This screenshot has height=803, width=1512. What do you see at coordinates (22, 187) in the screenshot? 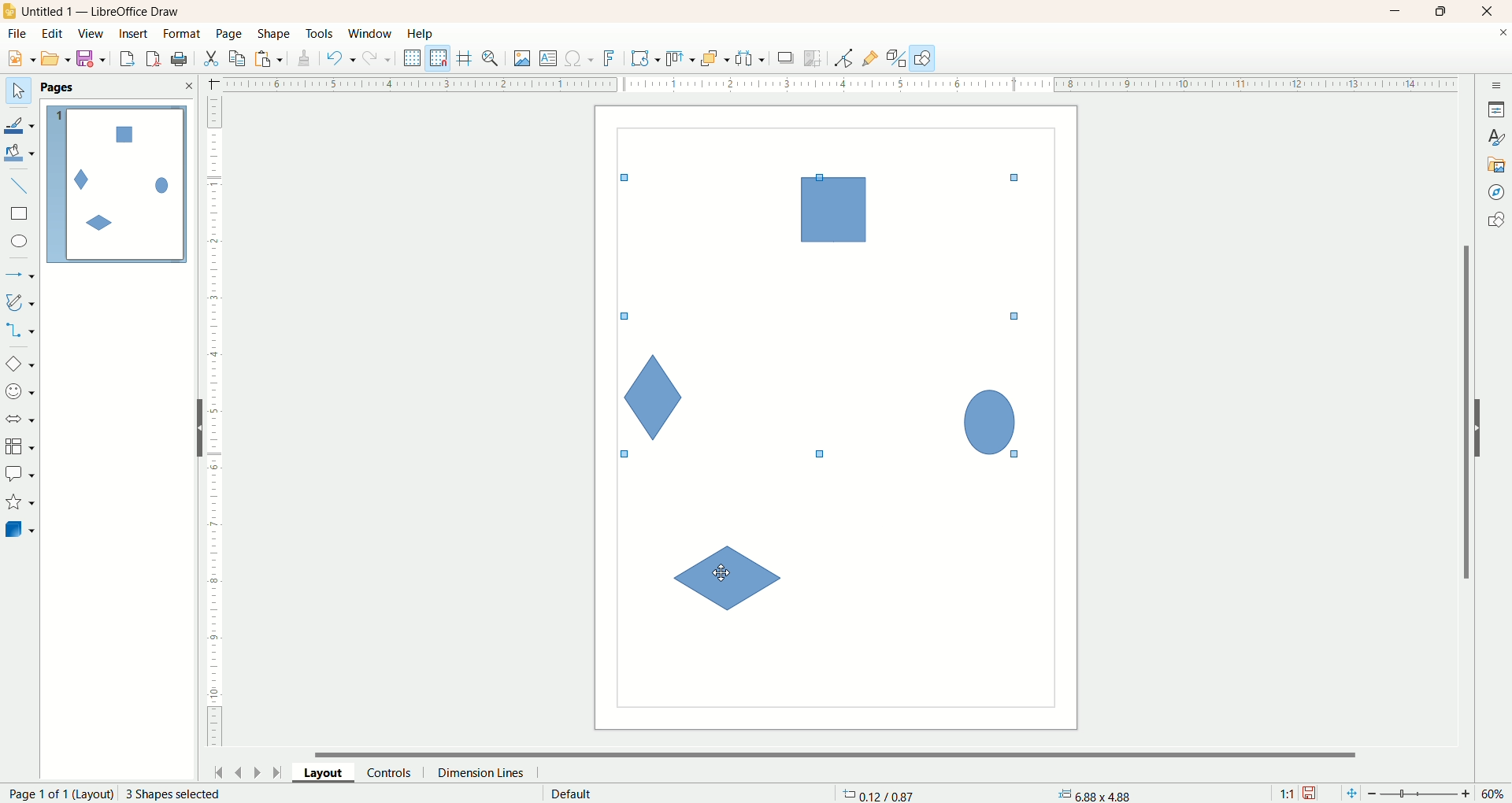
I see `insert line` at bounding box center [22, 187].